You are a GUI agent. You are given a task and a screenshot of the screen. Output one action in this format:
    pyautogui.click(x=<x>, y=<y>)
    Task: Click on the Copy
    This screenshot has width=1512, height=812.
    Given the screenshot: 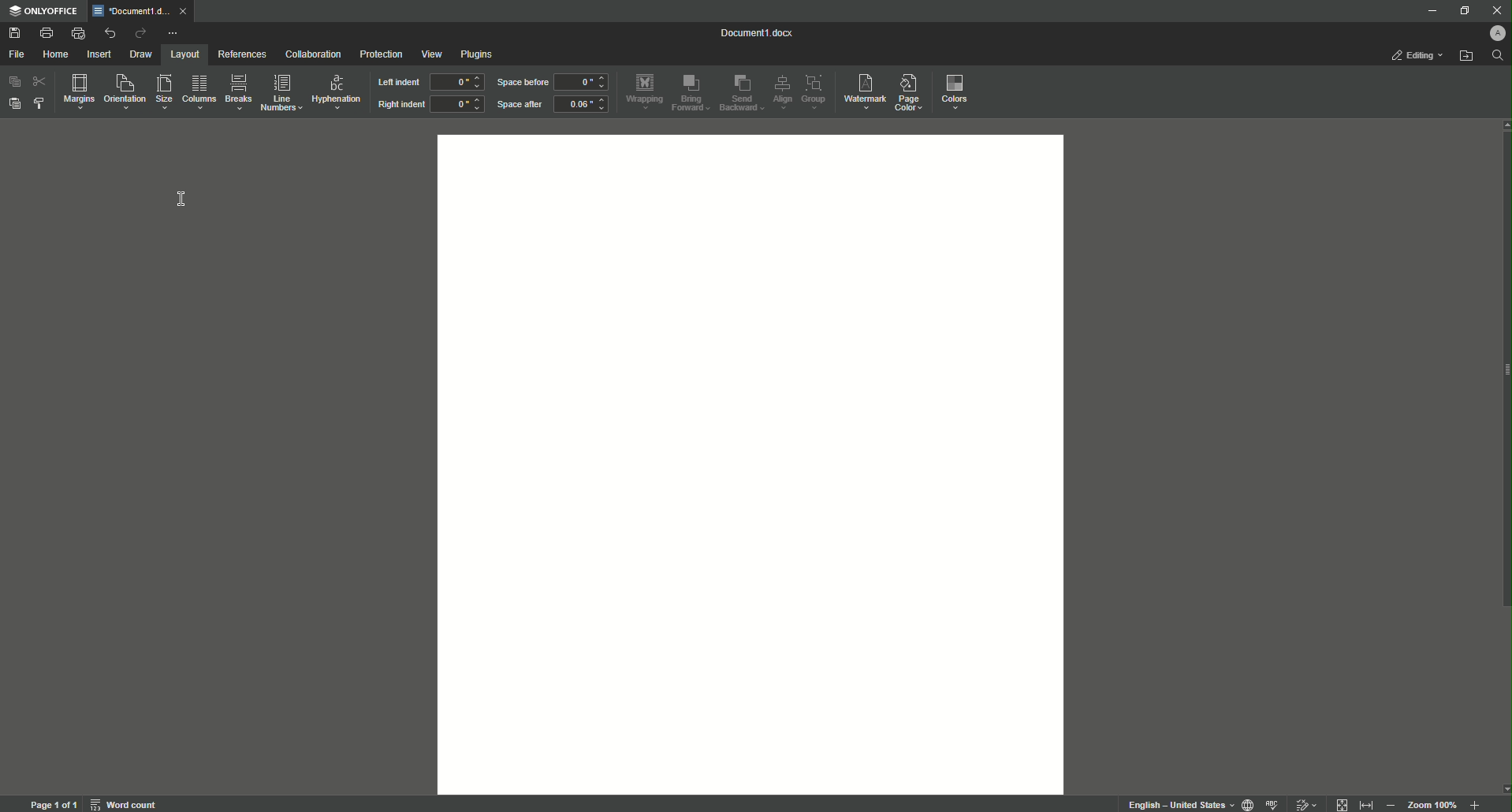 What is the action you would take?
    pyautogui.click(x=13, y=81)
    